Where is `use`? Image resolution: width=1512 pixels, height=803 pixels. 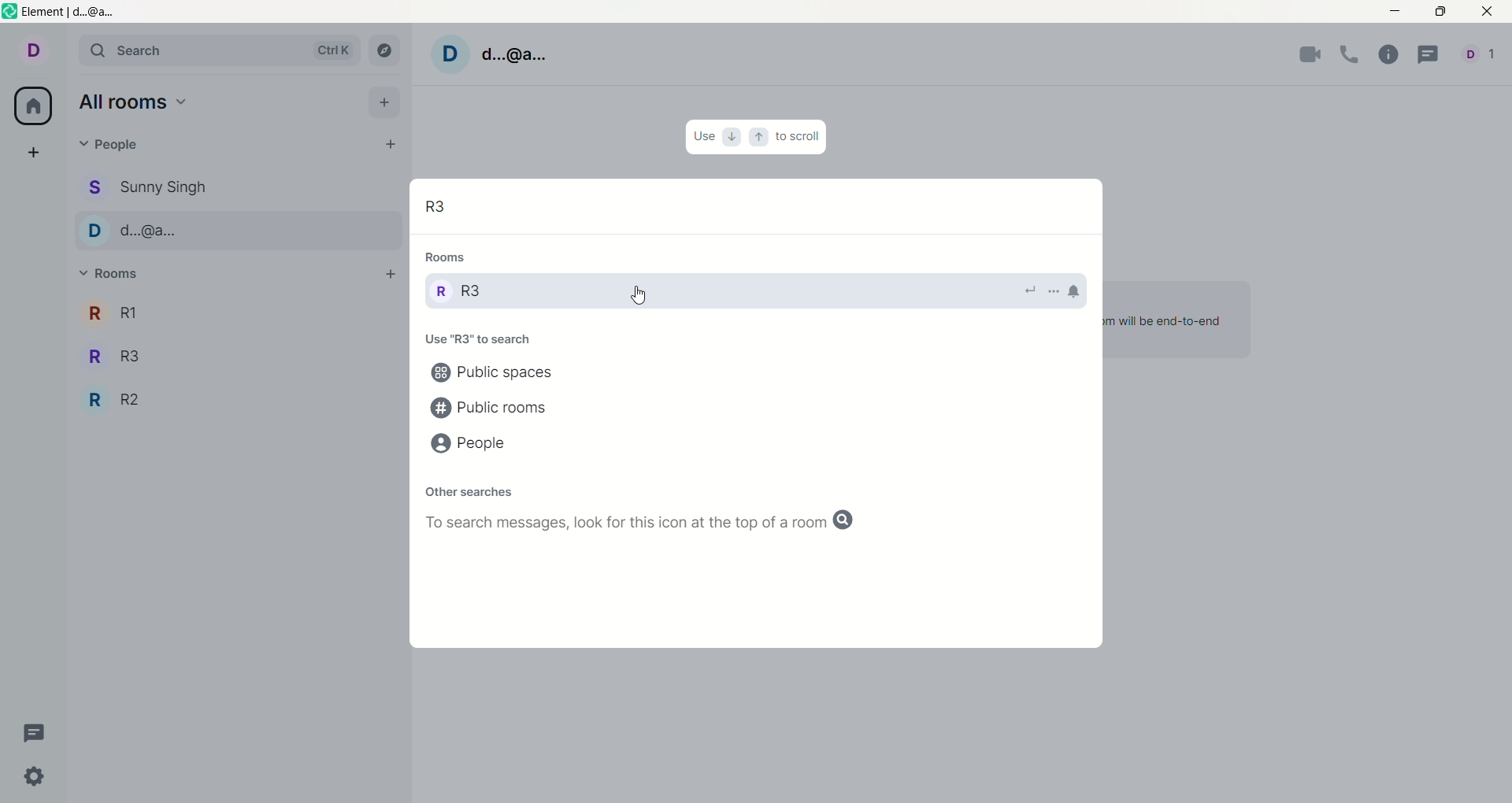 use is located at coordinates (703, 136).